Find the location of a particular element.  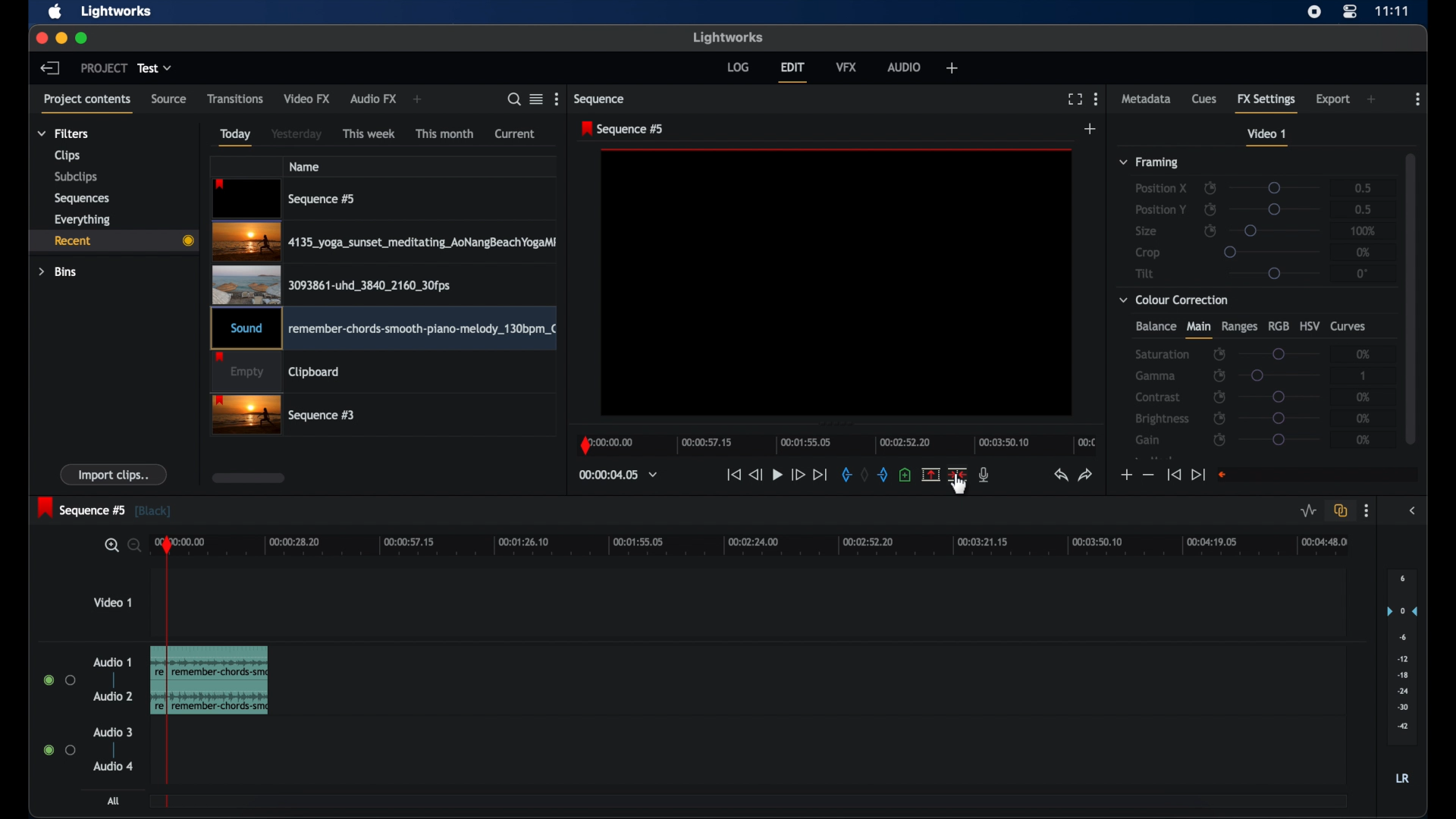

gain is located at coordinates (1150, 440).